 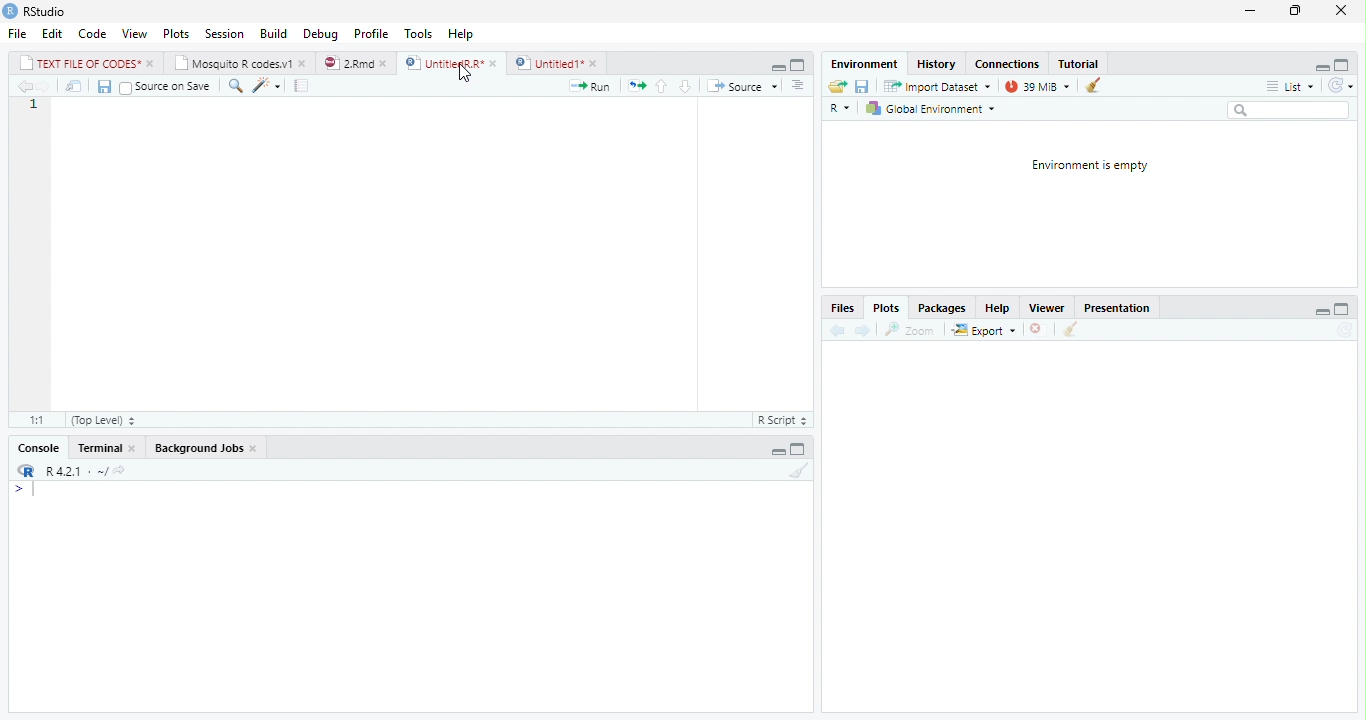 What do you see at coordinates (1249, 11) in the screenshot?
I see `Minimize` at bounding box center [1249, 11].